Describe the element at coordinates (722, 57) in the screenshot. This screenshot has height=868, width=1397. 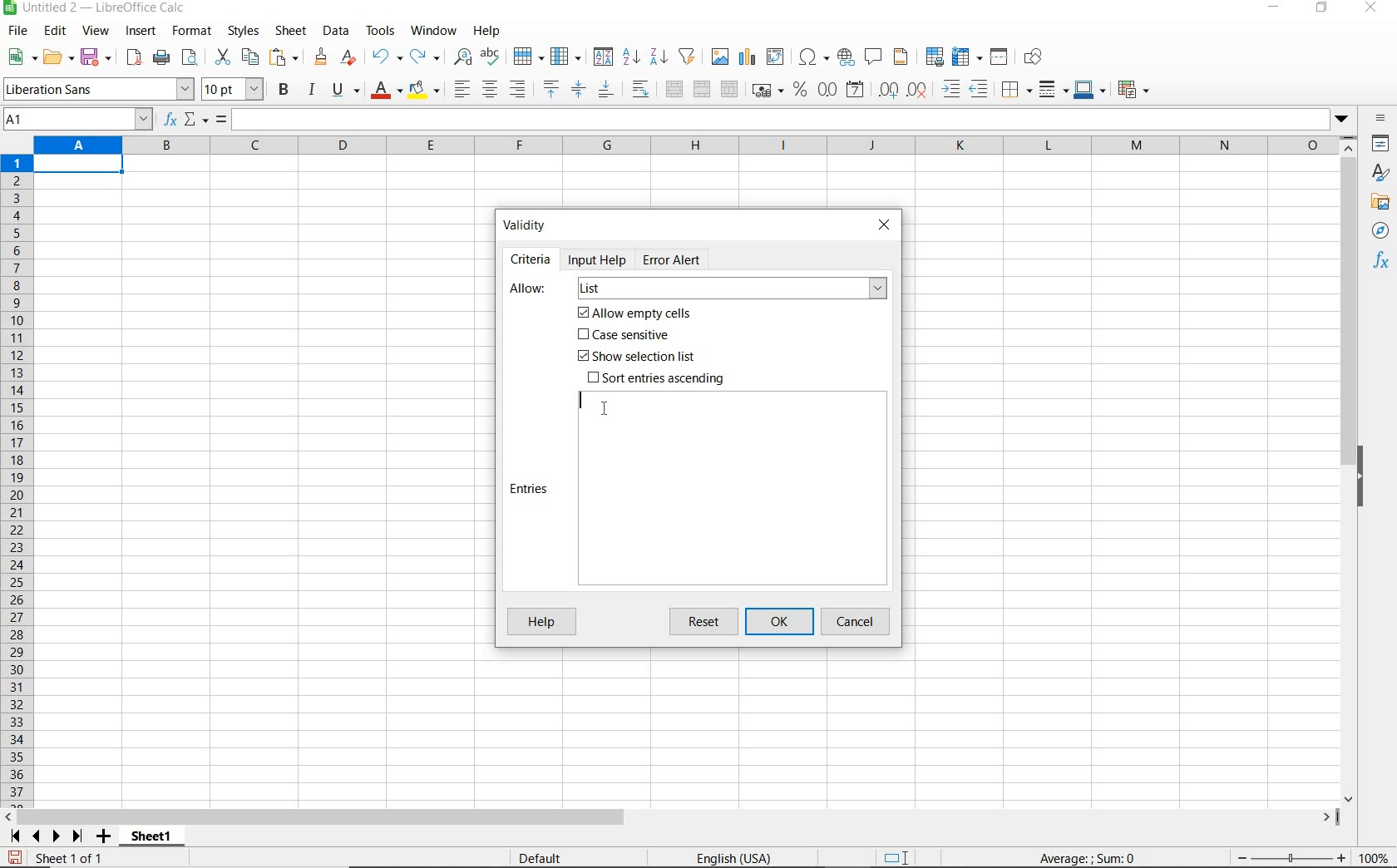
I see `insert image` at that location.